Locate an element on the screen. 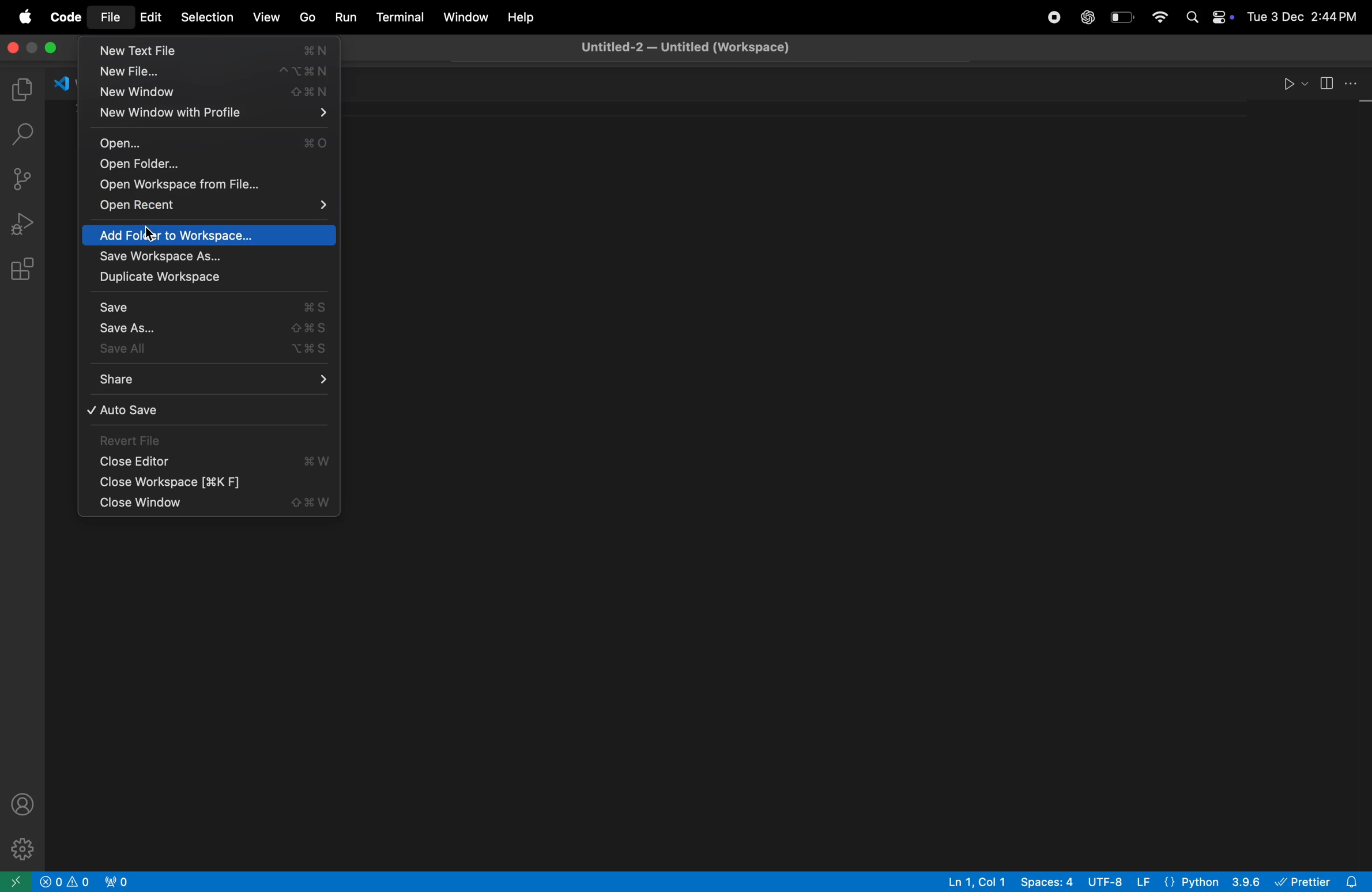 Image resolution: width=1372 pixels, height=892 pixels. wifi is located at coordinates (1159, 18).